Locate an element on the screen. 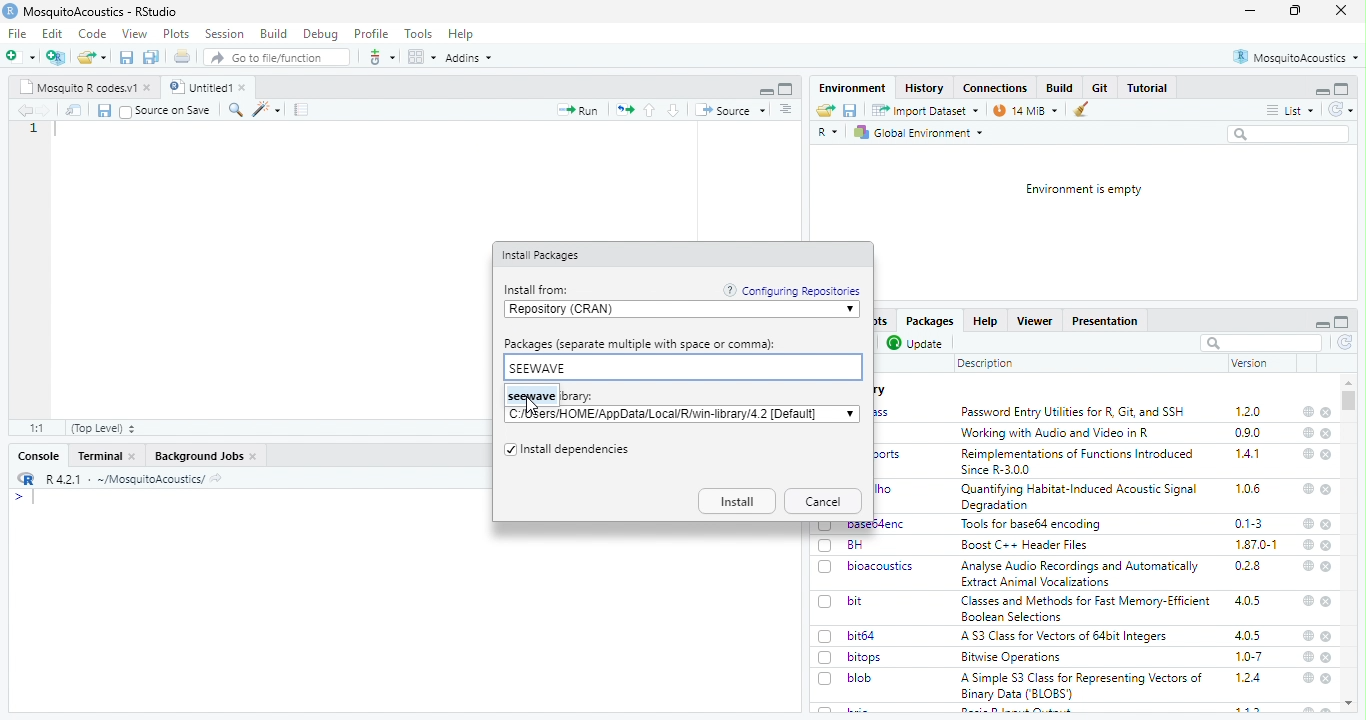 The image size is (1366, 720). close is located at coordinates (1327, 679).